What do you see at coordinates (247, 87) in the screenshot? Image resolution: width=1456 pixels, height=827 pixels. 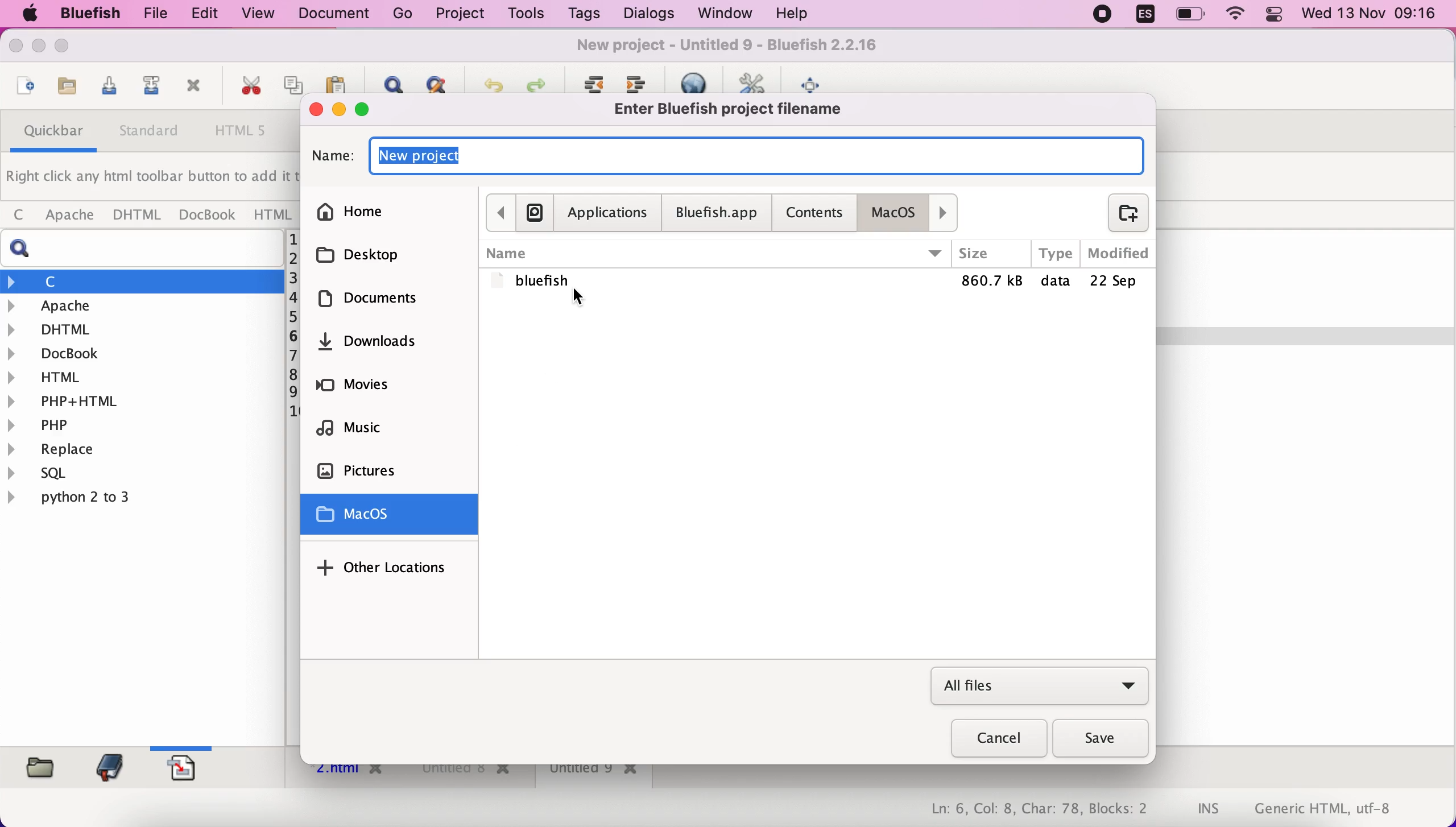 I see `cut` at bounding box center [247, 87].